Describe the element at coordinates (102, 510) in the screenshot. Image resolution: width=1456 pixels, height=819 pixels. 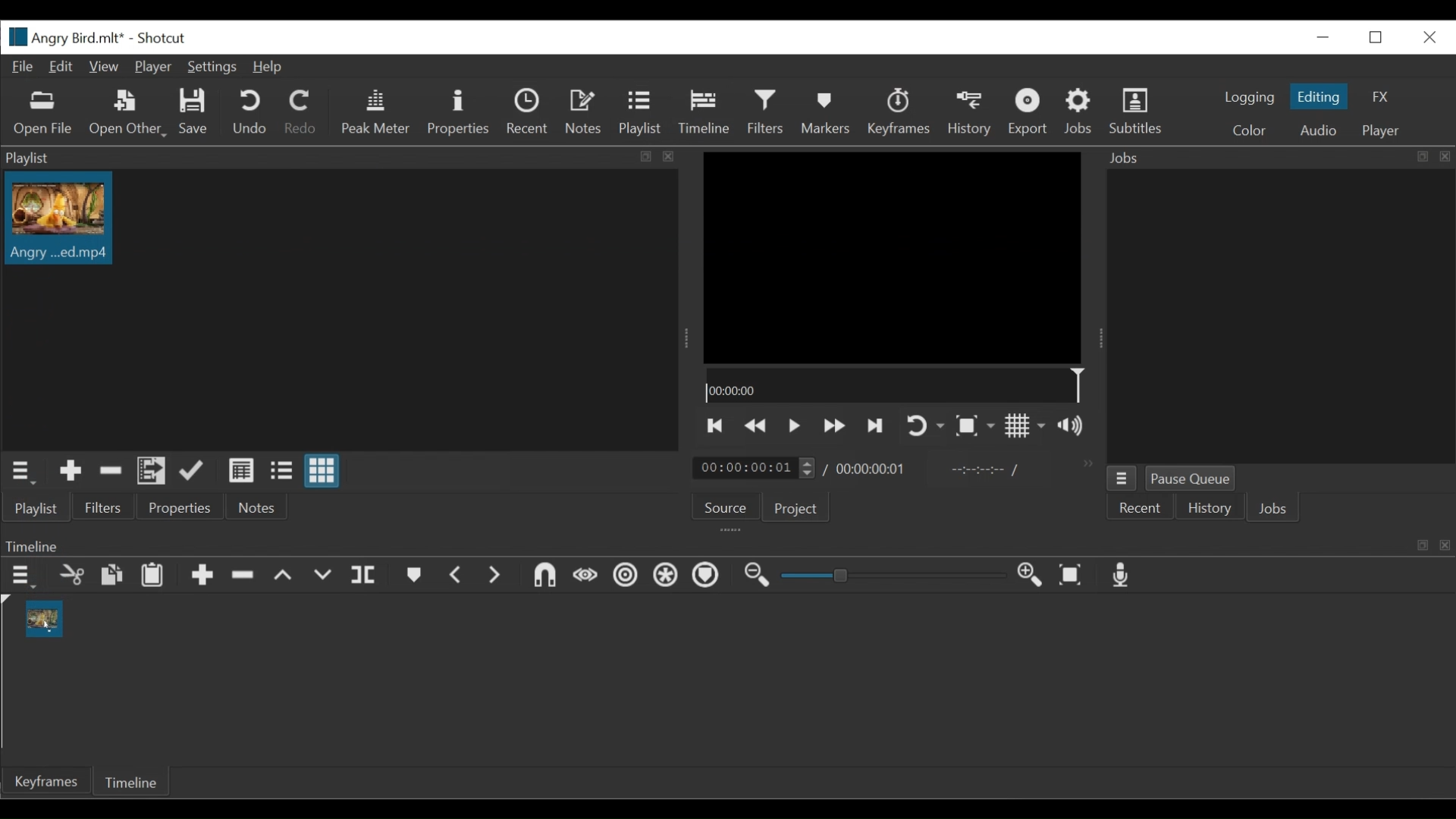
I see `Filters` at that location.